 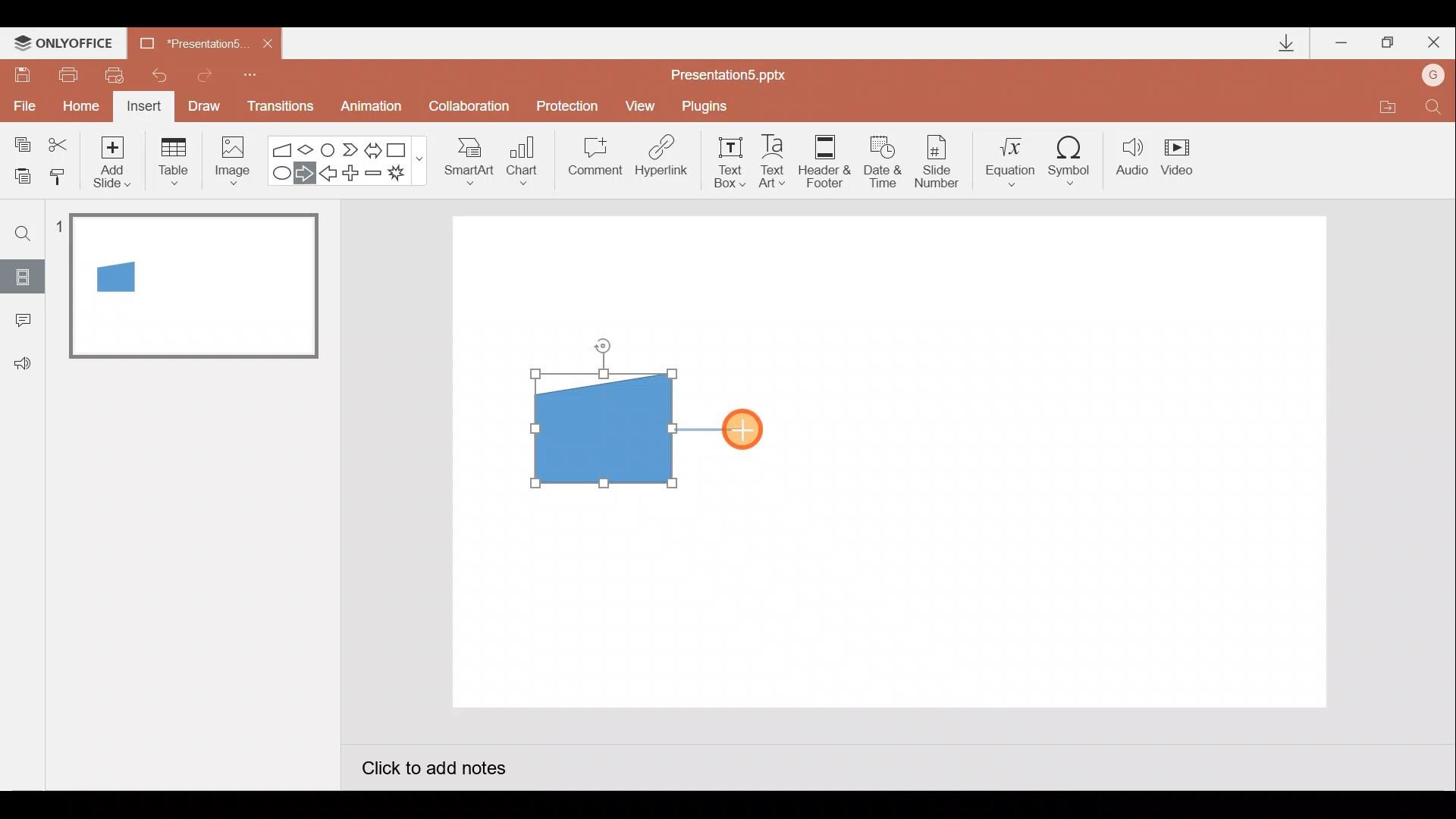 What do you see at coordinates (278, 108) in the screenshot?
I see `Transitions` at bounding box center [278, 108].